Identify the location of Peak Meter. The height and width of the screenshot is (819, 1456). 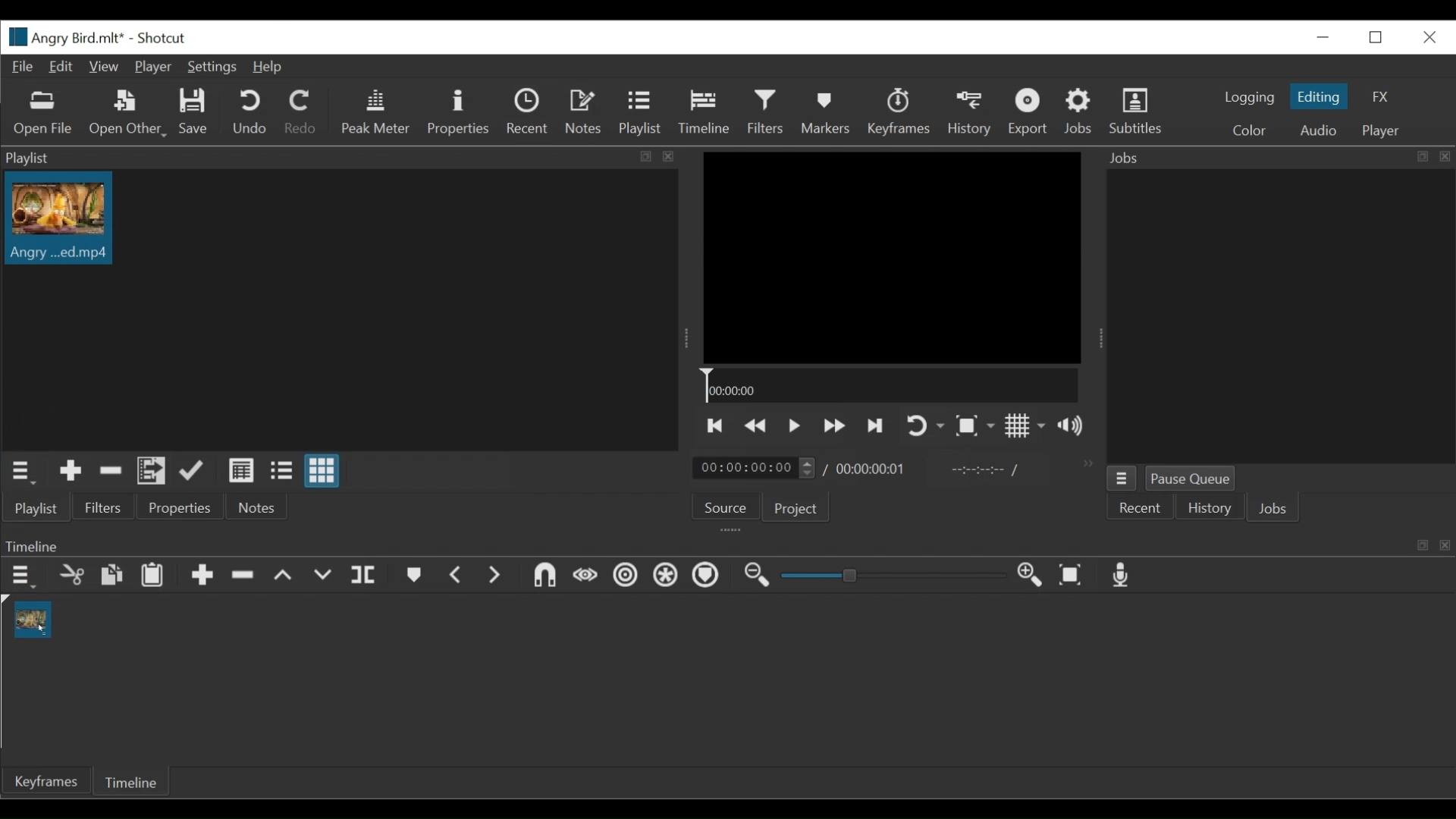
(376, 114).